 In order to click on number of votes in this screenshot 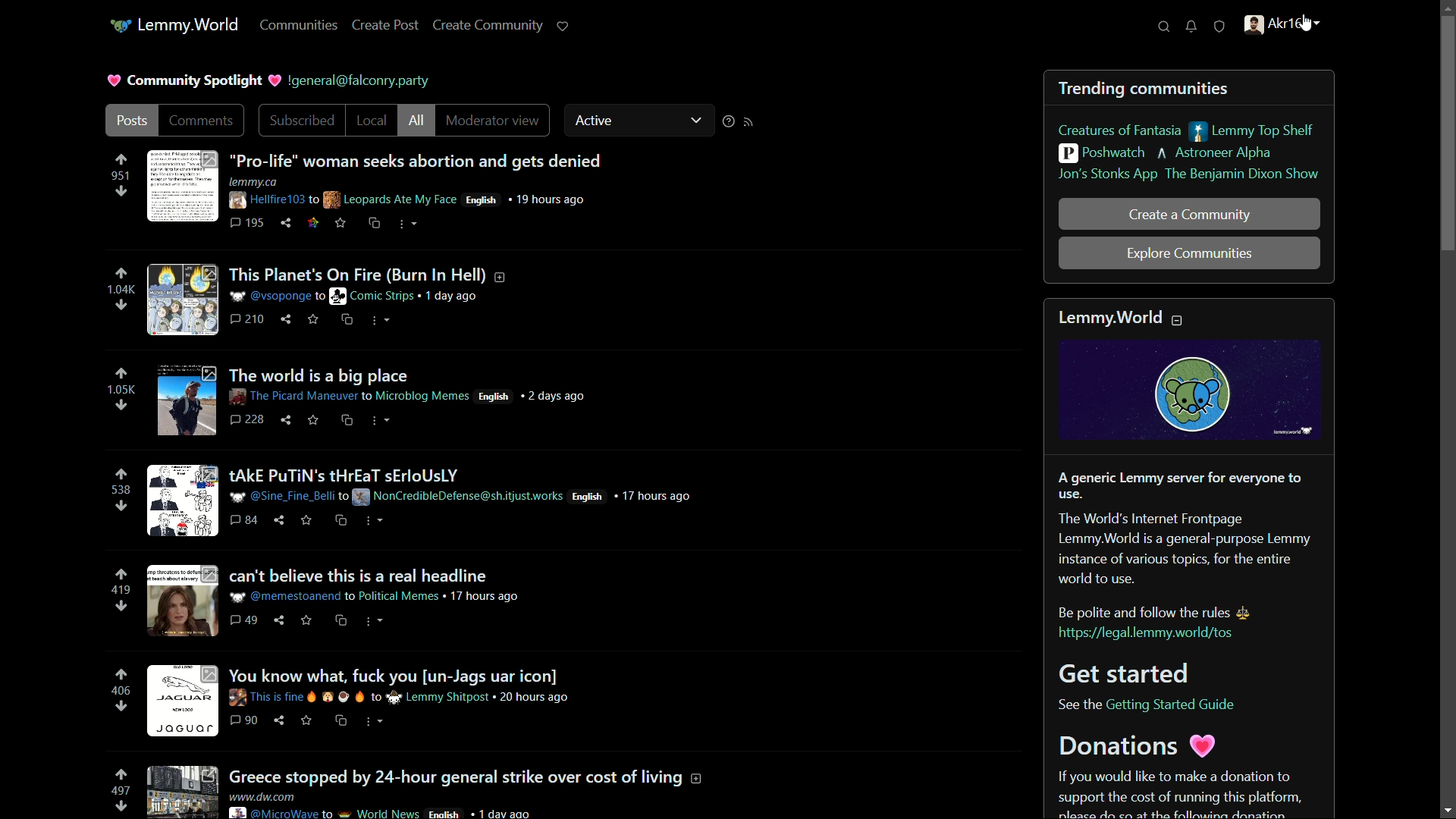, I will do `click(121, 389)`.